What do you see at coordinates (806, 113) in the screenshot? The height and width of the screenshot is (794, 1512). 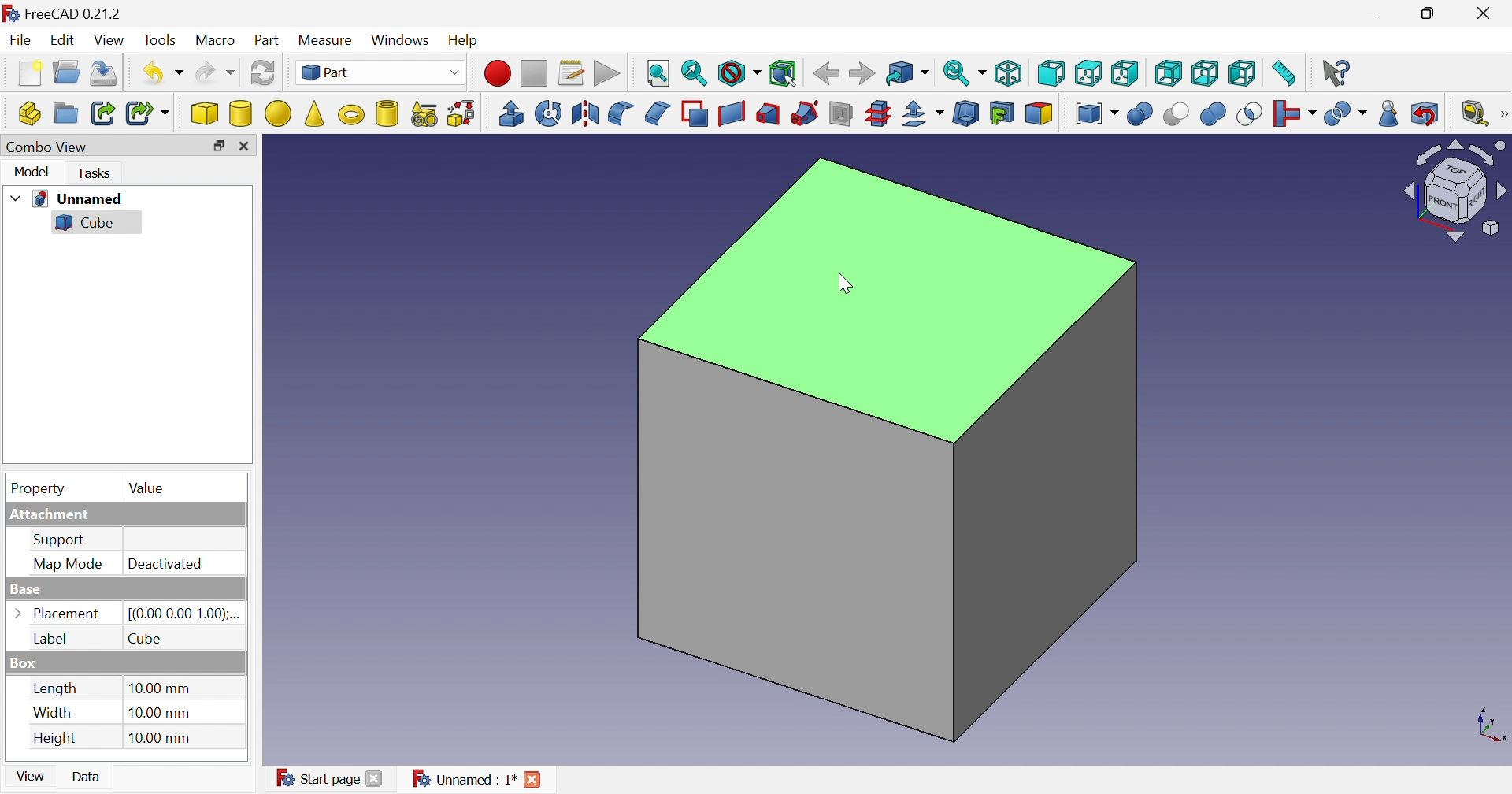 I see `Sweep` at bounding box center [806, 113].